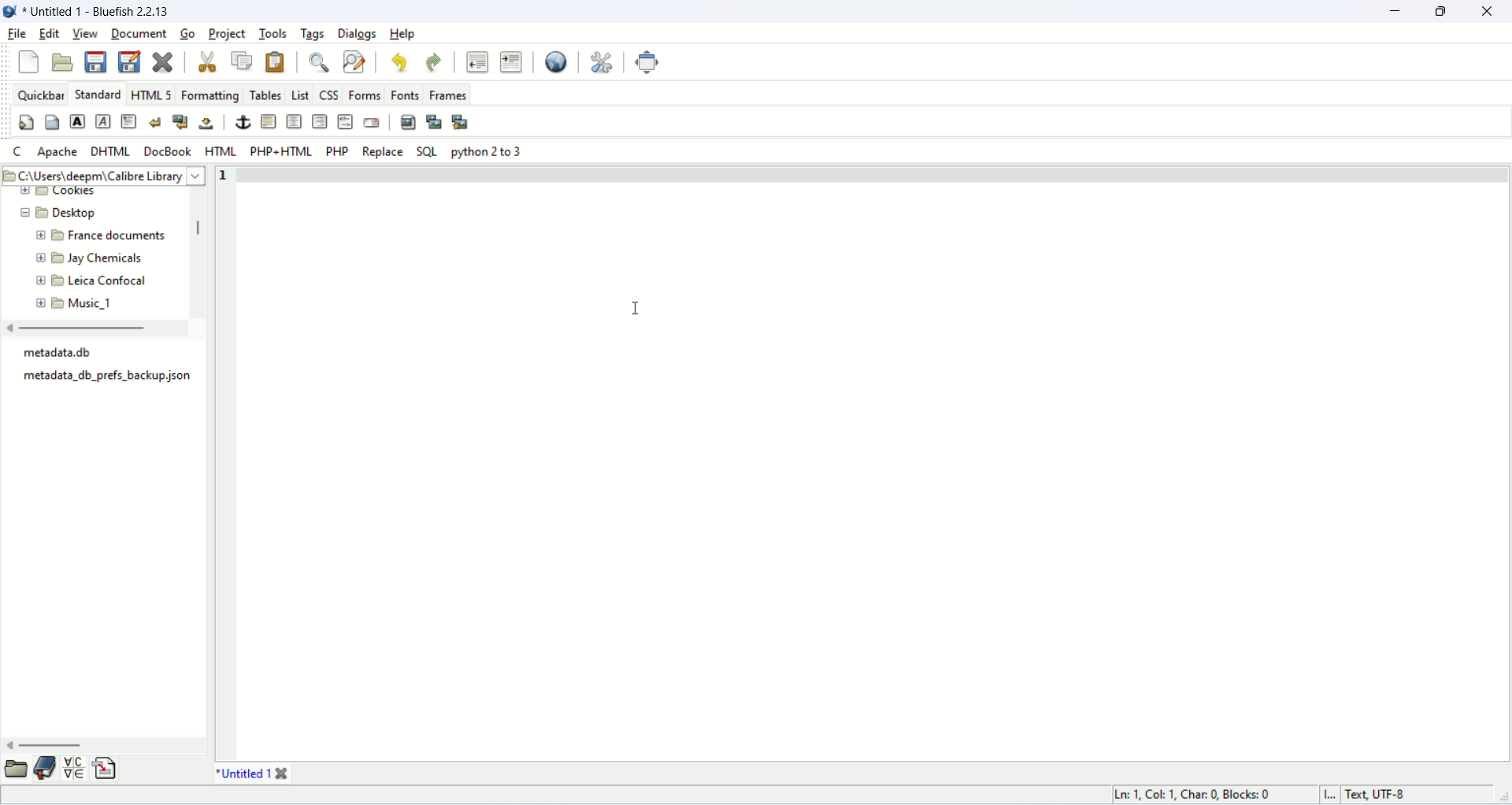 This screenshot has width=1512, height=805. What do you see at coordinates (139, 33) in the screenshot?
I see `document` at bounding box center [139, 33].